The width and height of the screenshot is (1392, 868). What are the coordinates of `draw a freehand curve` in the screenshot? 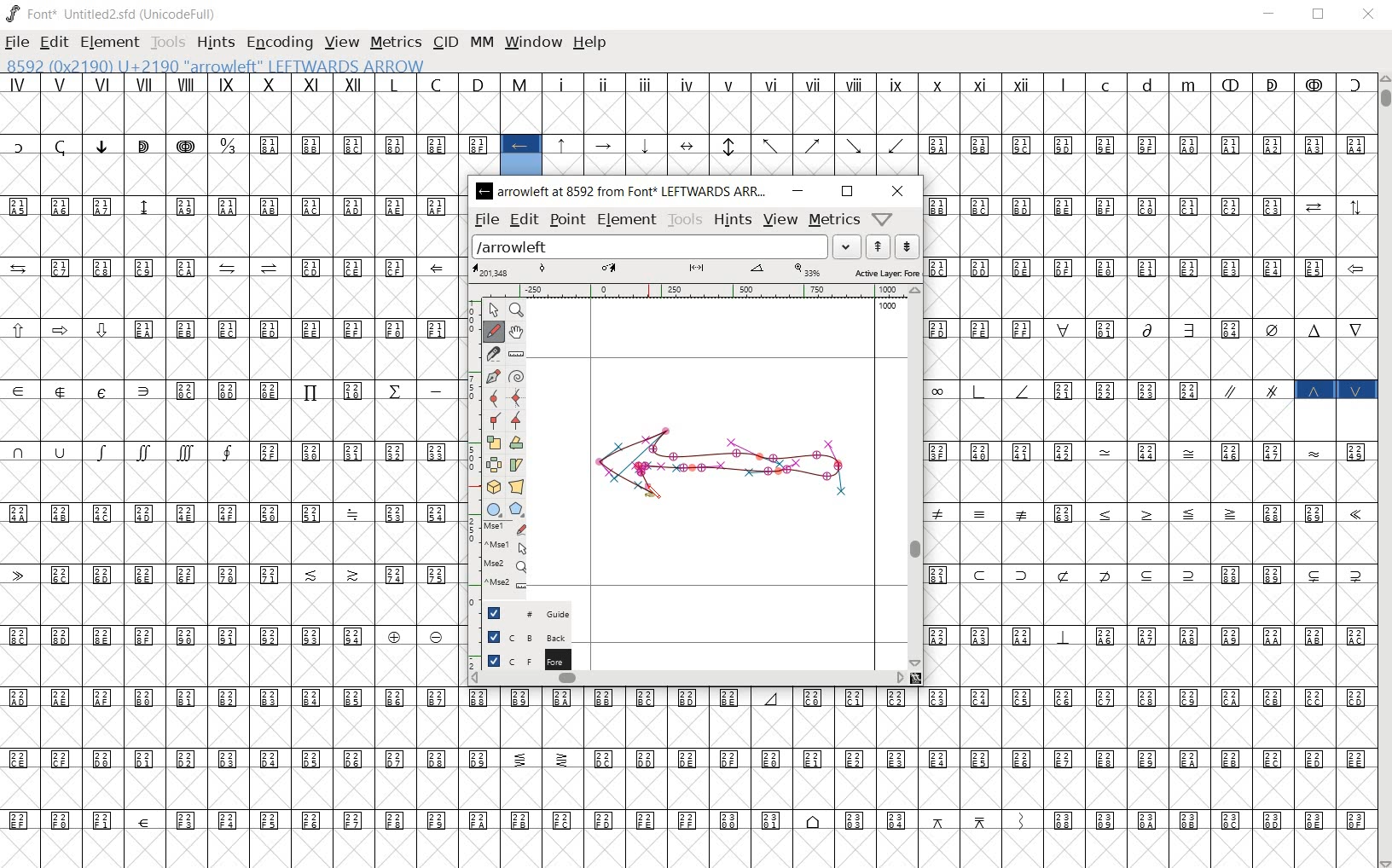 It's located at (493, 331).